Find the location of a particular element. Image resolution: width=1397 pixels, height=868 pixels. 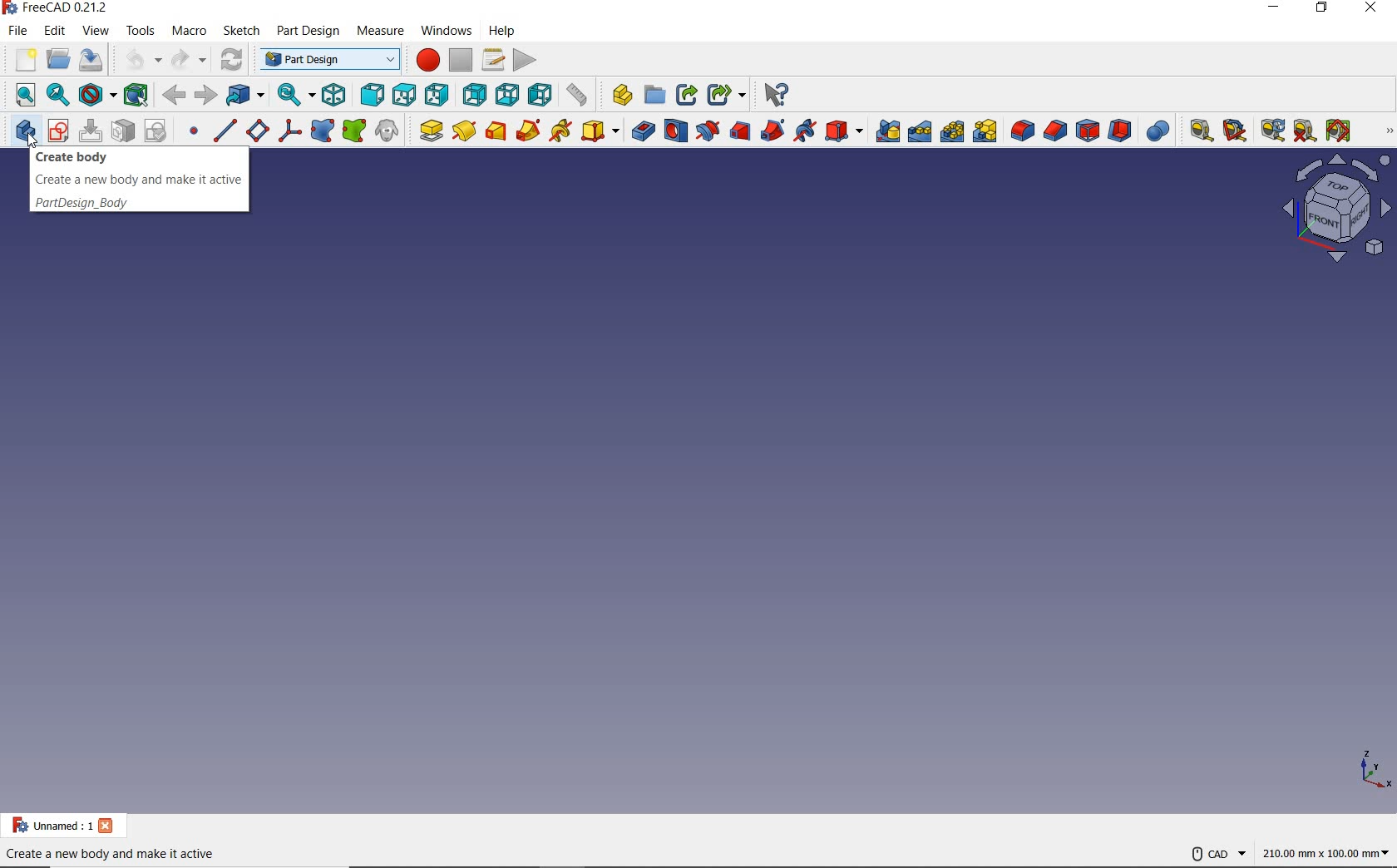

EDIT SKETCH is located at coordinates (91, 131).